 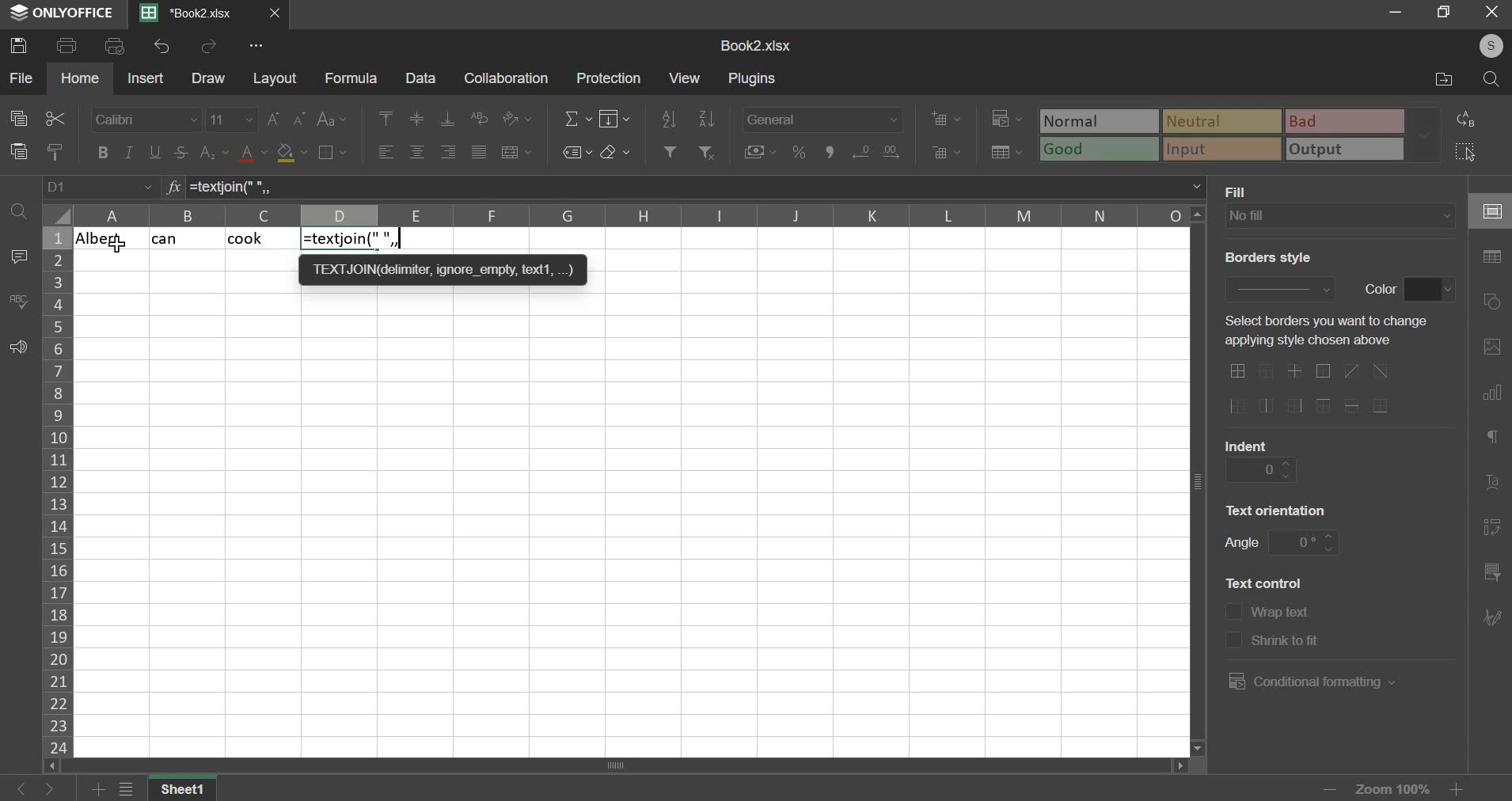 What do you see at coordinates (612, 78) in the screenshot?
I see `protection` at bounding box center [612, 78].